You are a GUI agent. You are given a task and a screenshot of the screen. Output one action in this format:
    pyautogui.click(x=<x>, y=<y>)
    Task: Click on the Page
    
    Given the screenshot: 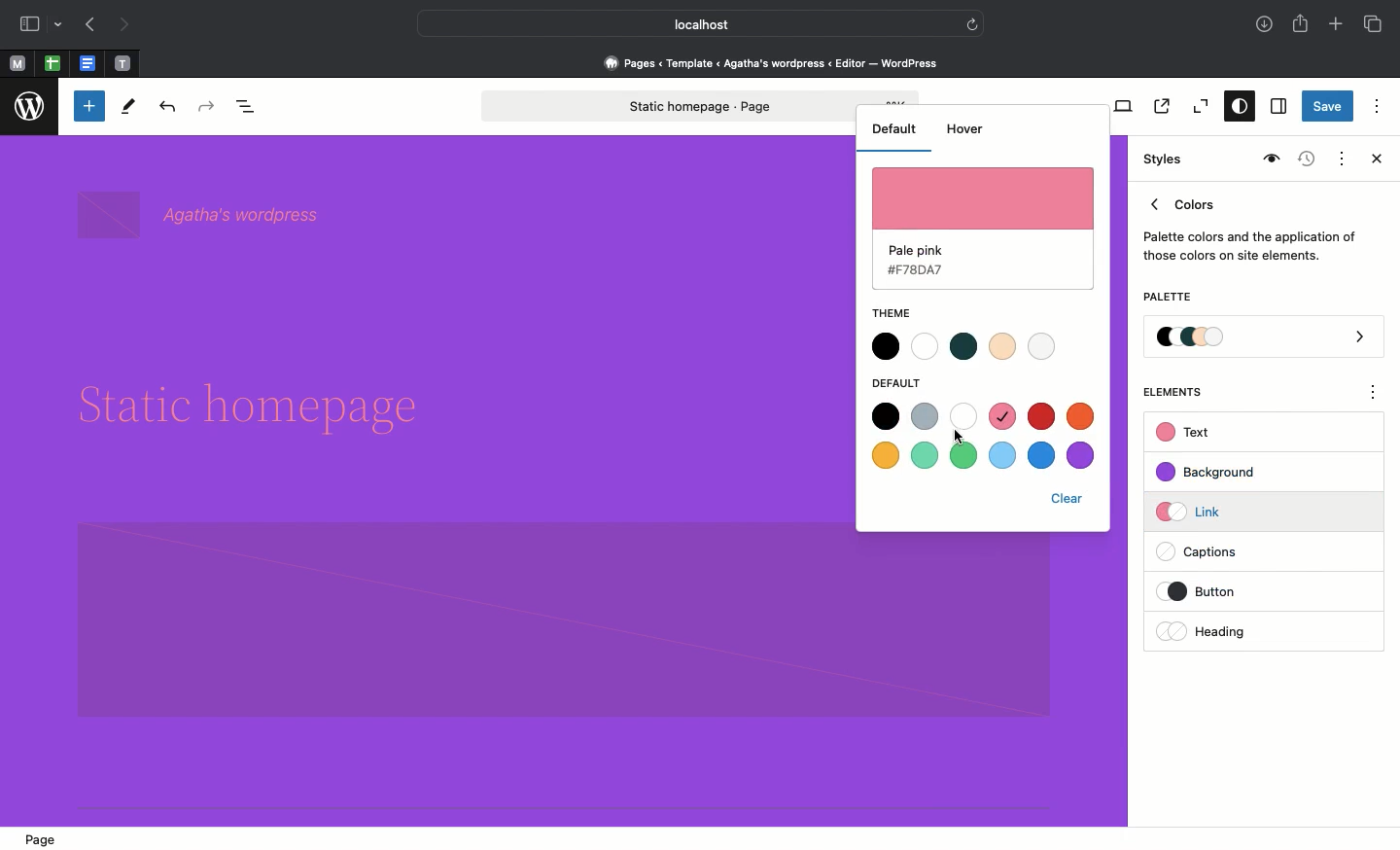 What is the action you would take?
    pyautogui.click(x=668, y=106)
    